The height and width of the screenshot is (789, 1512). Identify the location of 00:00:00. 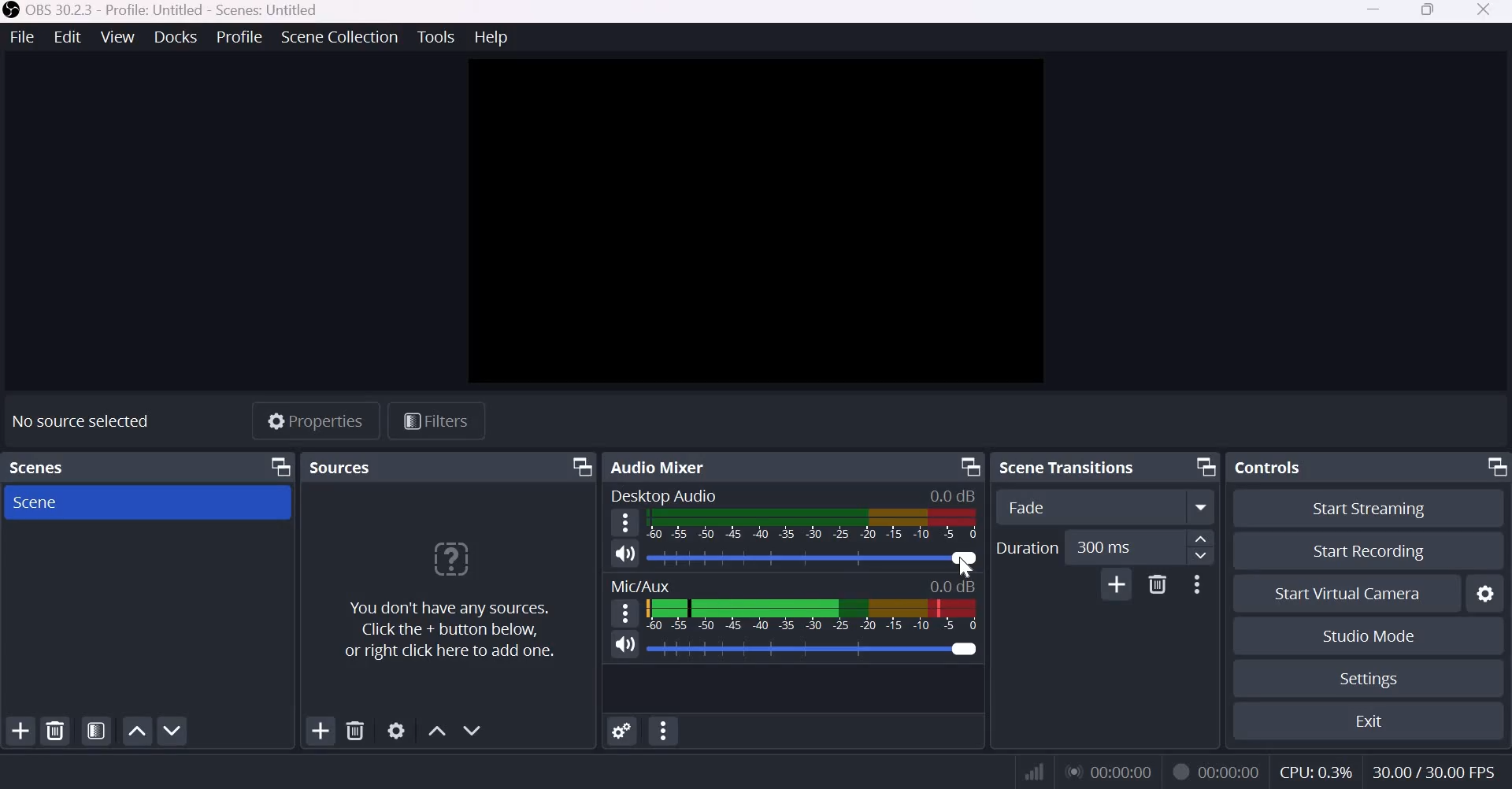
(1110, 771).